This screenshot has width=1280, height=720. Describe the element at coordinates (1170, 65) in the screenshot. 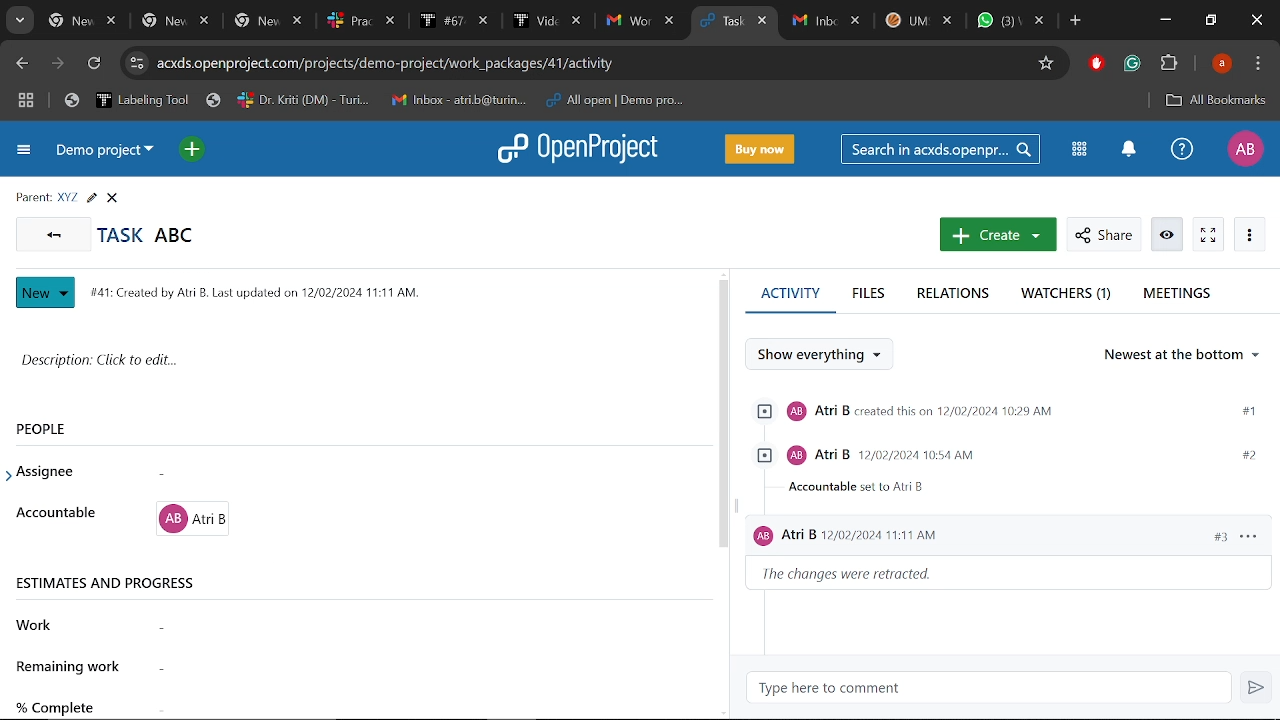

I see `extensions` at that location.